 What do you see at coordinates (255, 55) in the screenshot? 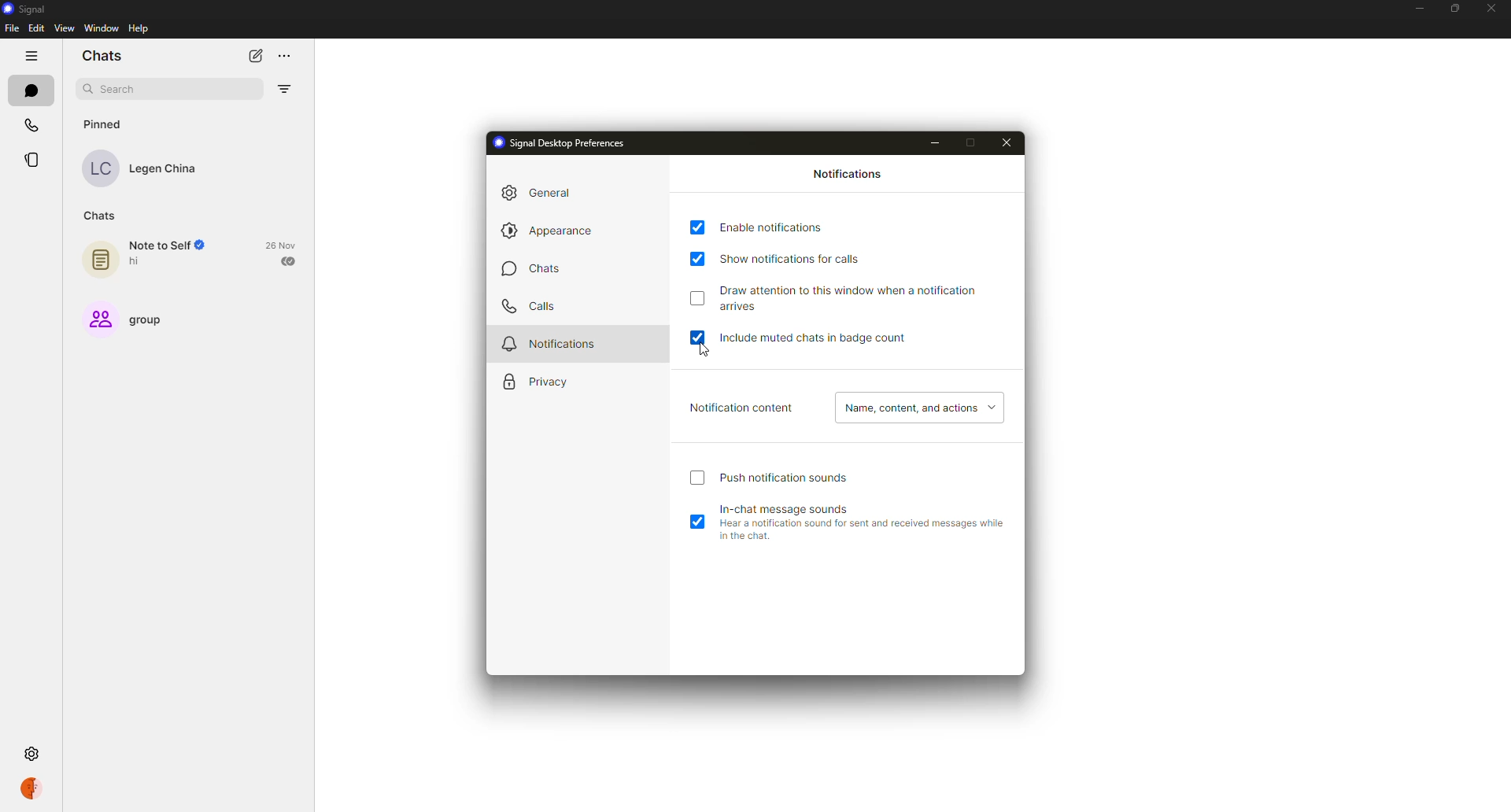
I see `new chat` at bounding box center [255, 55].